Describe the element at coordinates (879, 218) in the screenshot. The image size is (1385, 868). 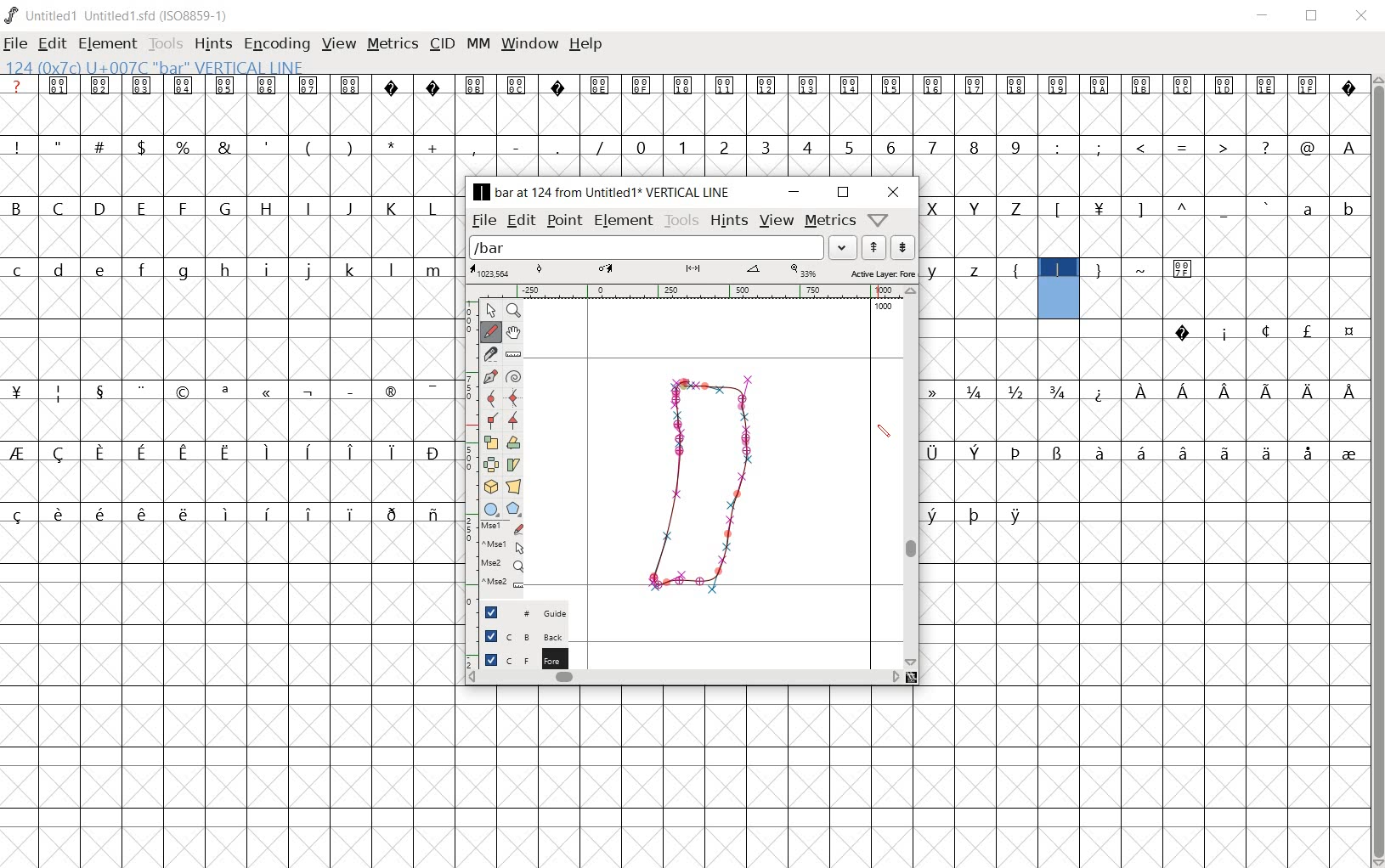
I see `help/window` at that location.